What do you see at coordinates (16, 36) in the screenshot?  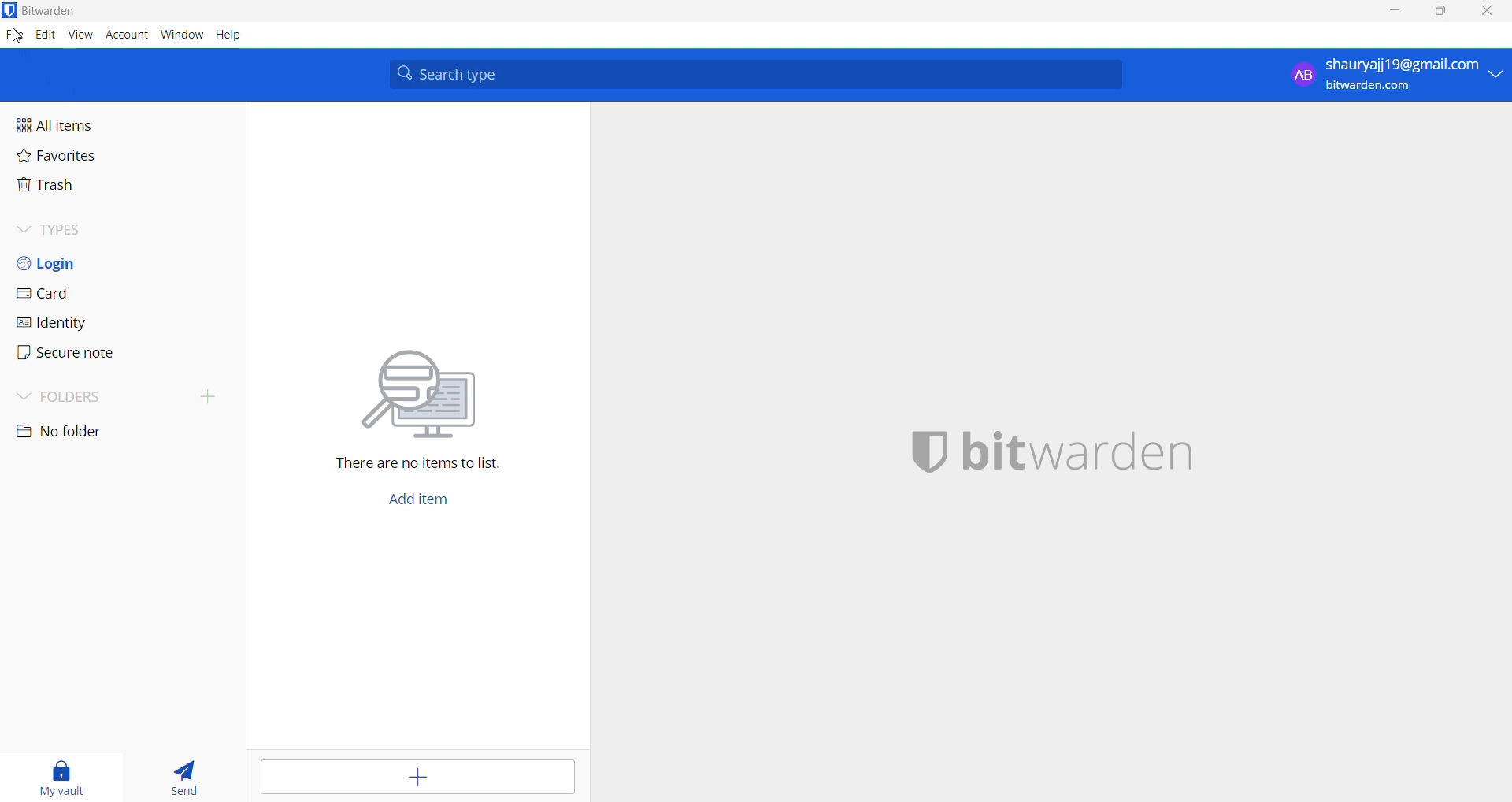 I see `CURSOR` at bounding box center [16, 36].